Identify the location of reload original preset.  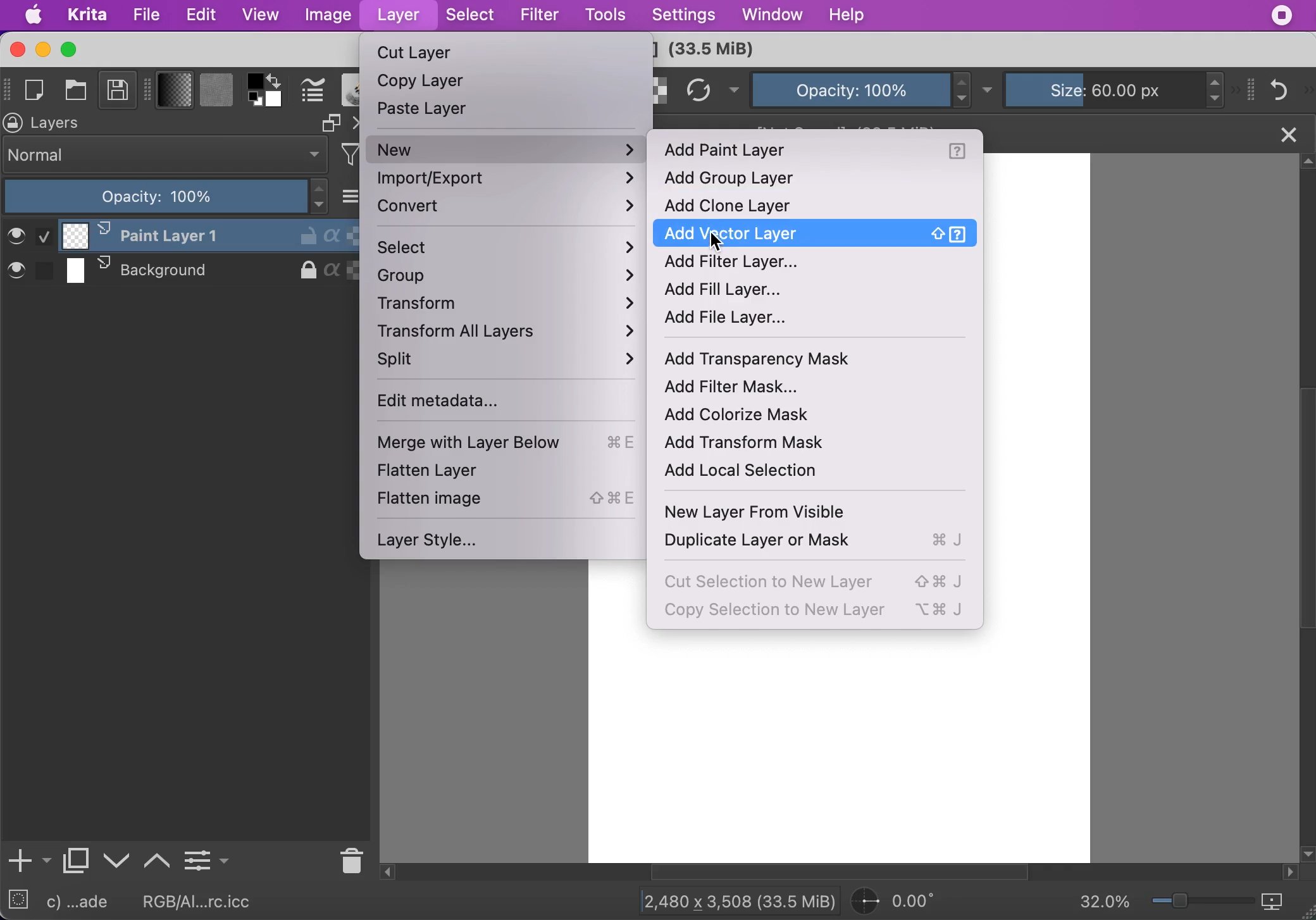
(699, 90).